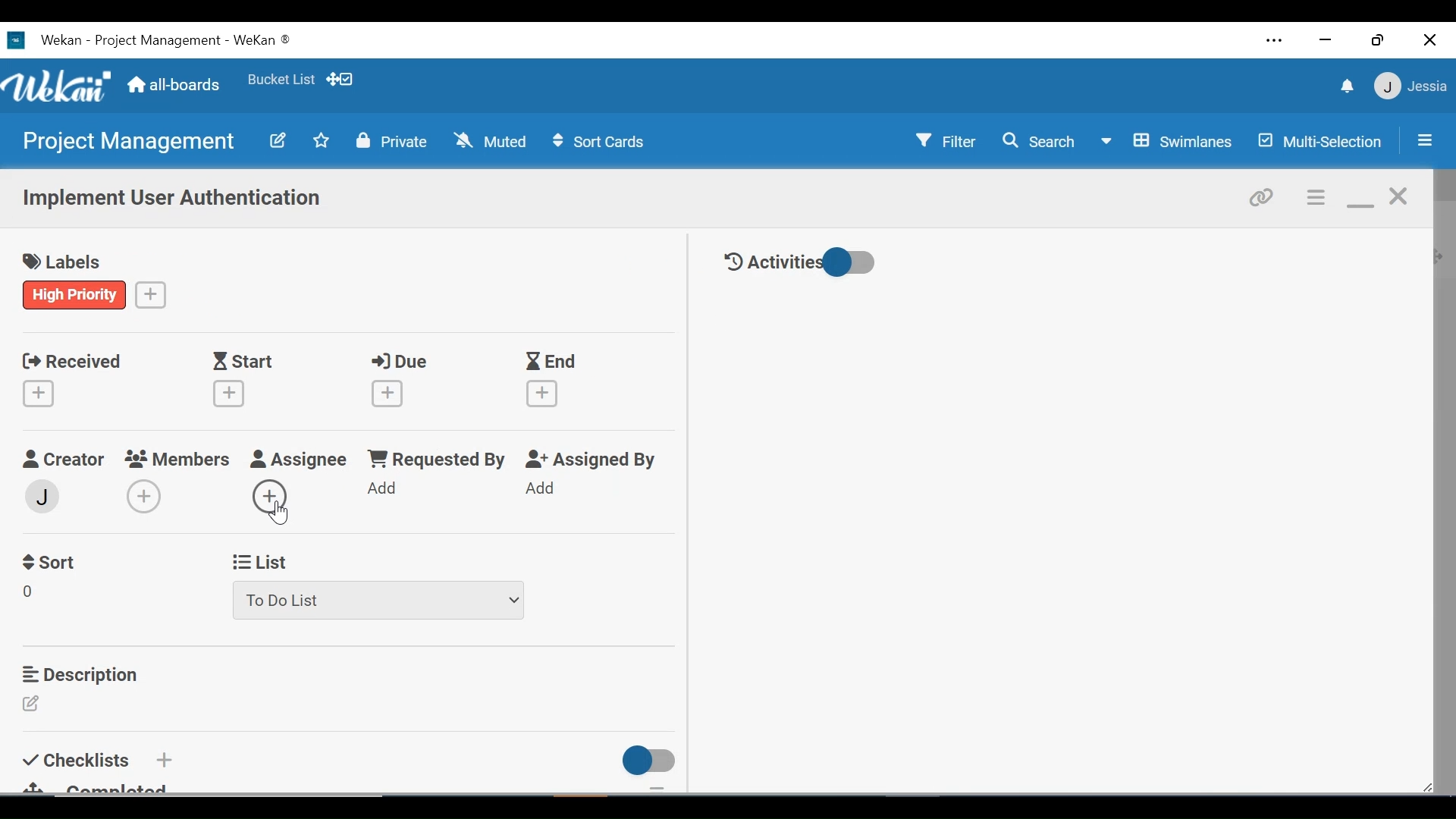 This screenshot has width=1456, height=819. What do you see at coordinates (20, 40) in the screenshot?
I see `wekan icon` at bounding box center [20, 40].